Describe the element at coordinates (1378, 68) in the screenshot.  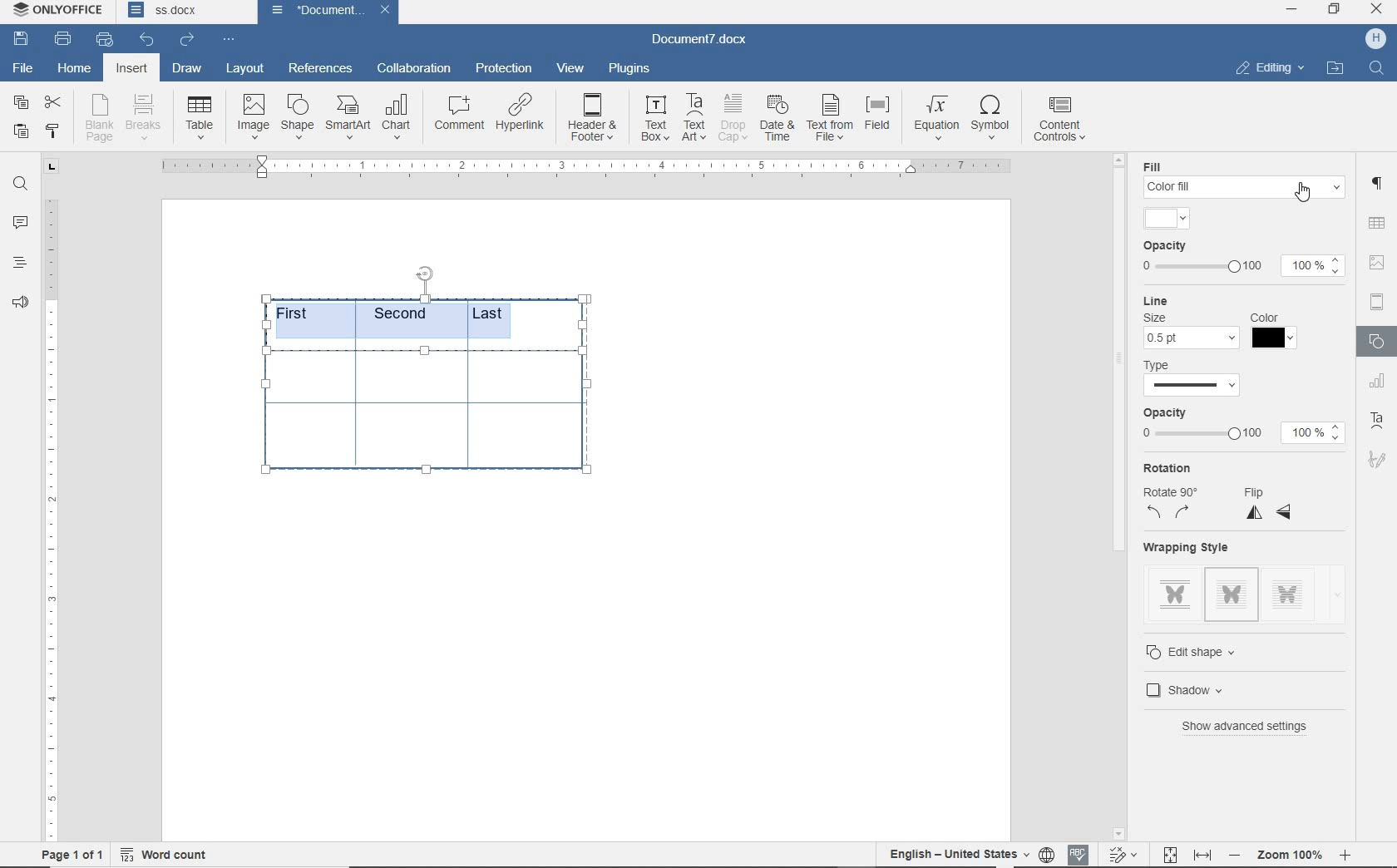
I see `FIND` at that location.